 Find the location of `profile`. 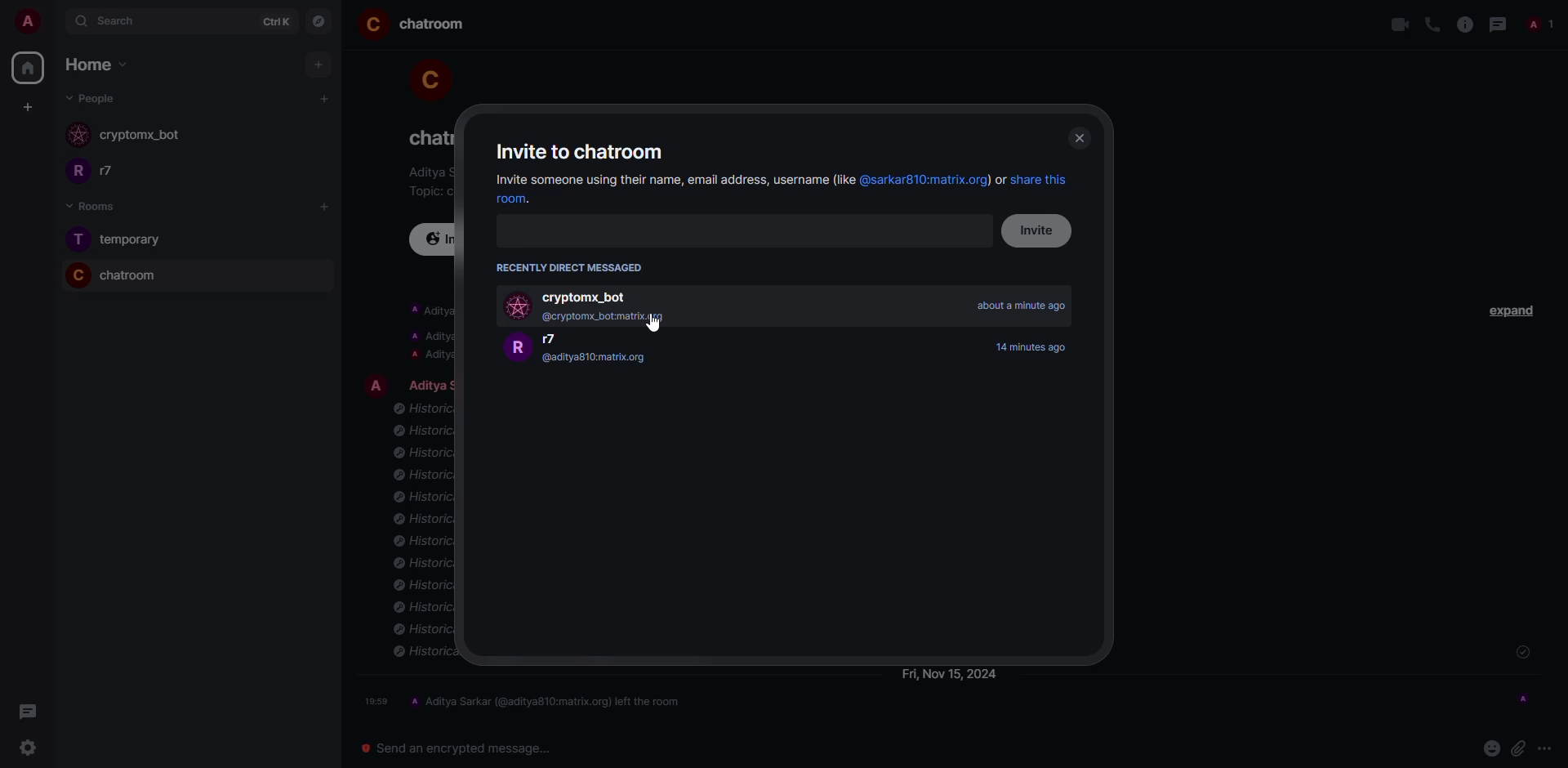

profile is located at coordinates (372, 25).